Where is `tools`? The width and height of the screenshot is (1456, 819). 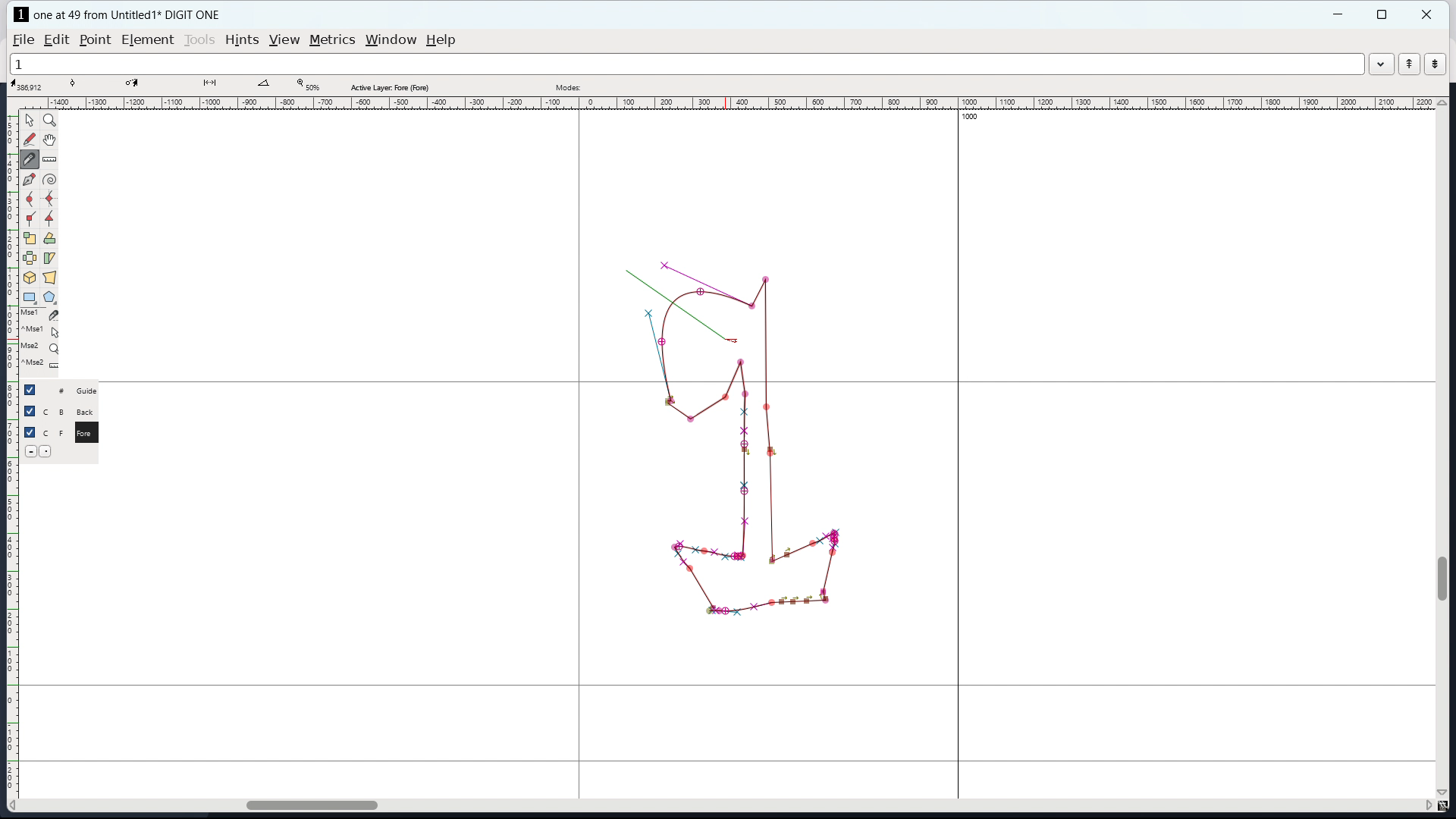
tools is located at coordinates (199, 40).